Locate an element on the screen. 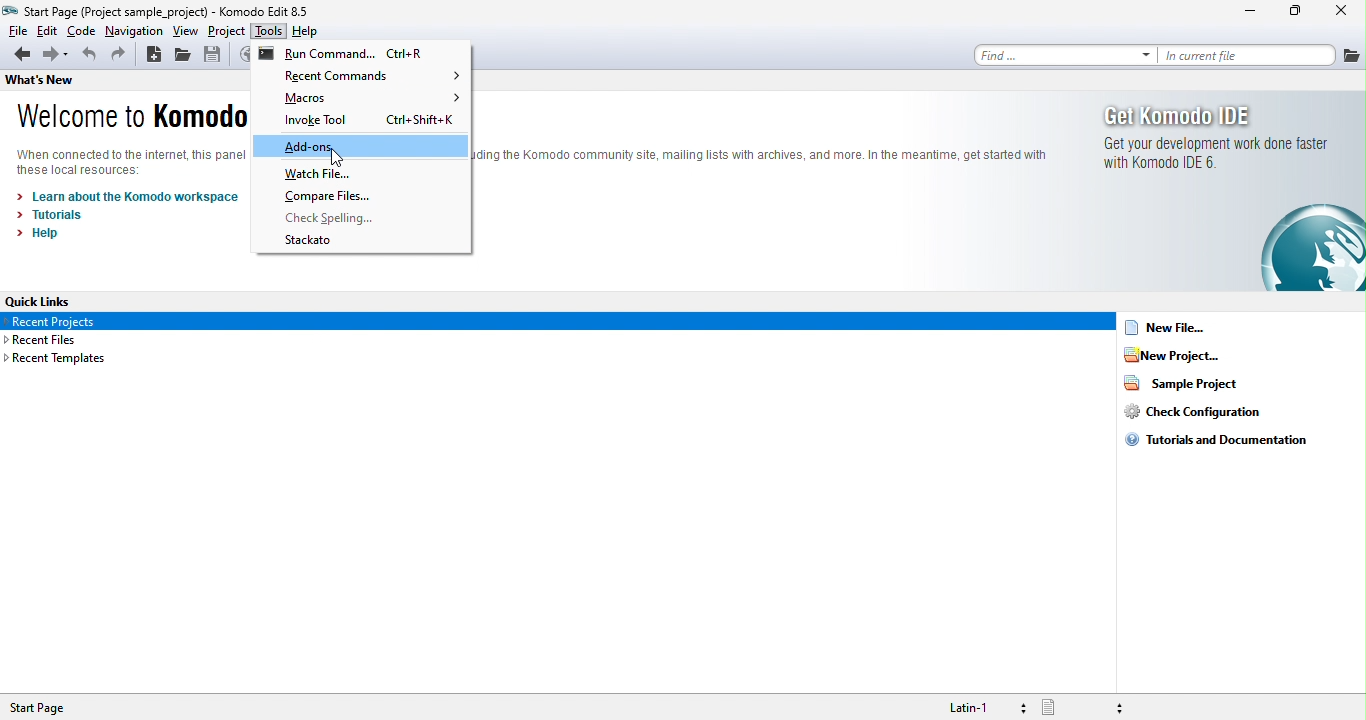 The width and height of the screenshot is (1366, 720). learn about the komodo workspace is located at coordinates (145, 196).